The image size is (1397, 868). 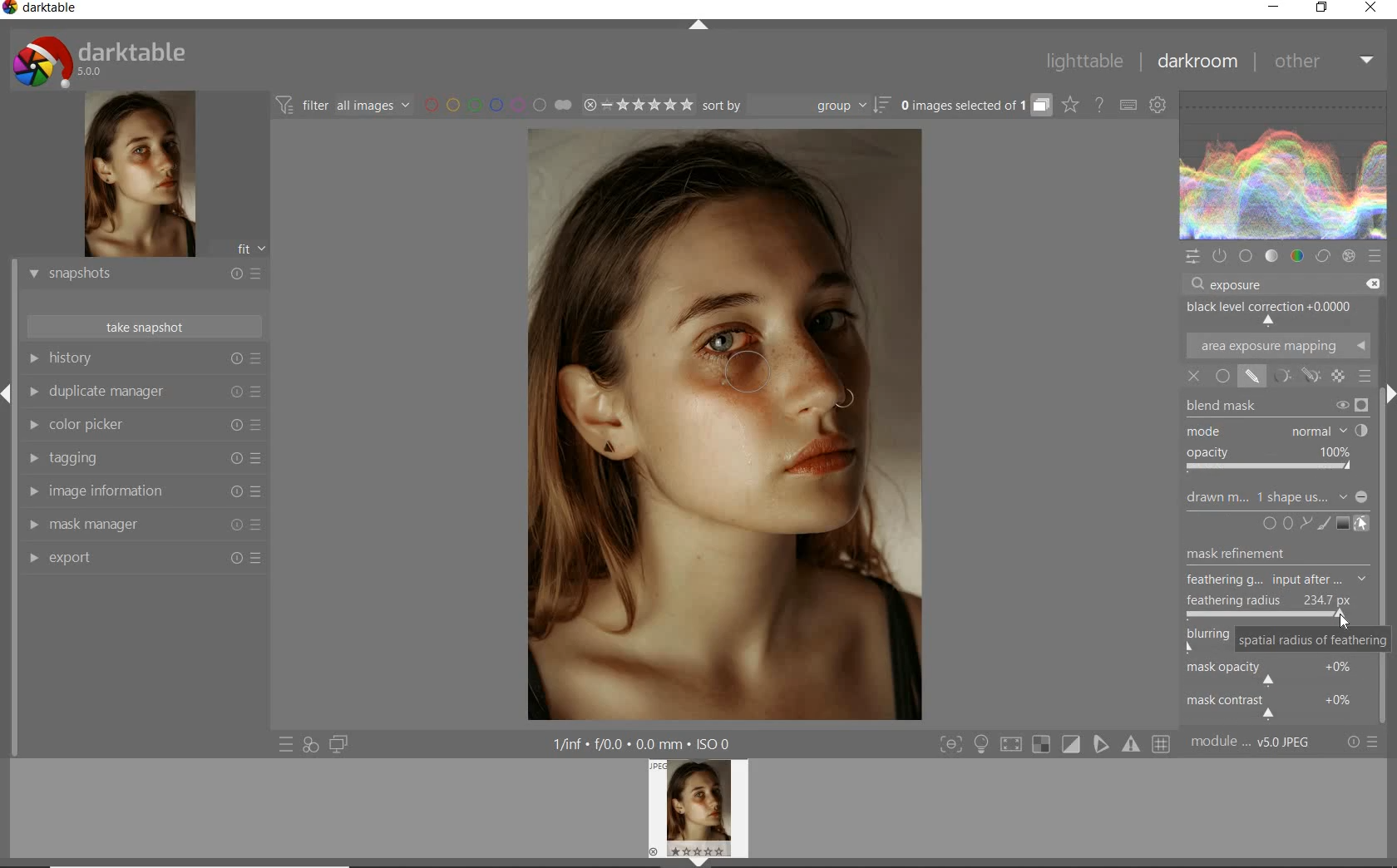 What do you see at coordinates (797, 105) in the screenshot?
I see `sort` at bounding box center [797, 105].